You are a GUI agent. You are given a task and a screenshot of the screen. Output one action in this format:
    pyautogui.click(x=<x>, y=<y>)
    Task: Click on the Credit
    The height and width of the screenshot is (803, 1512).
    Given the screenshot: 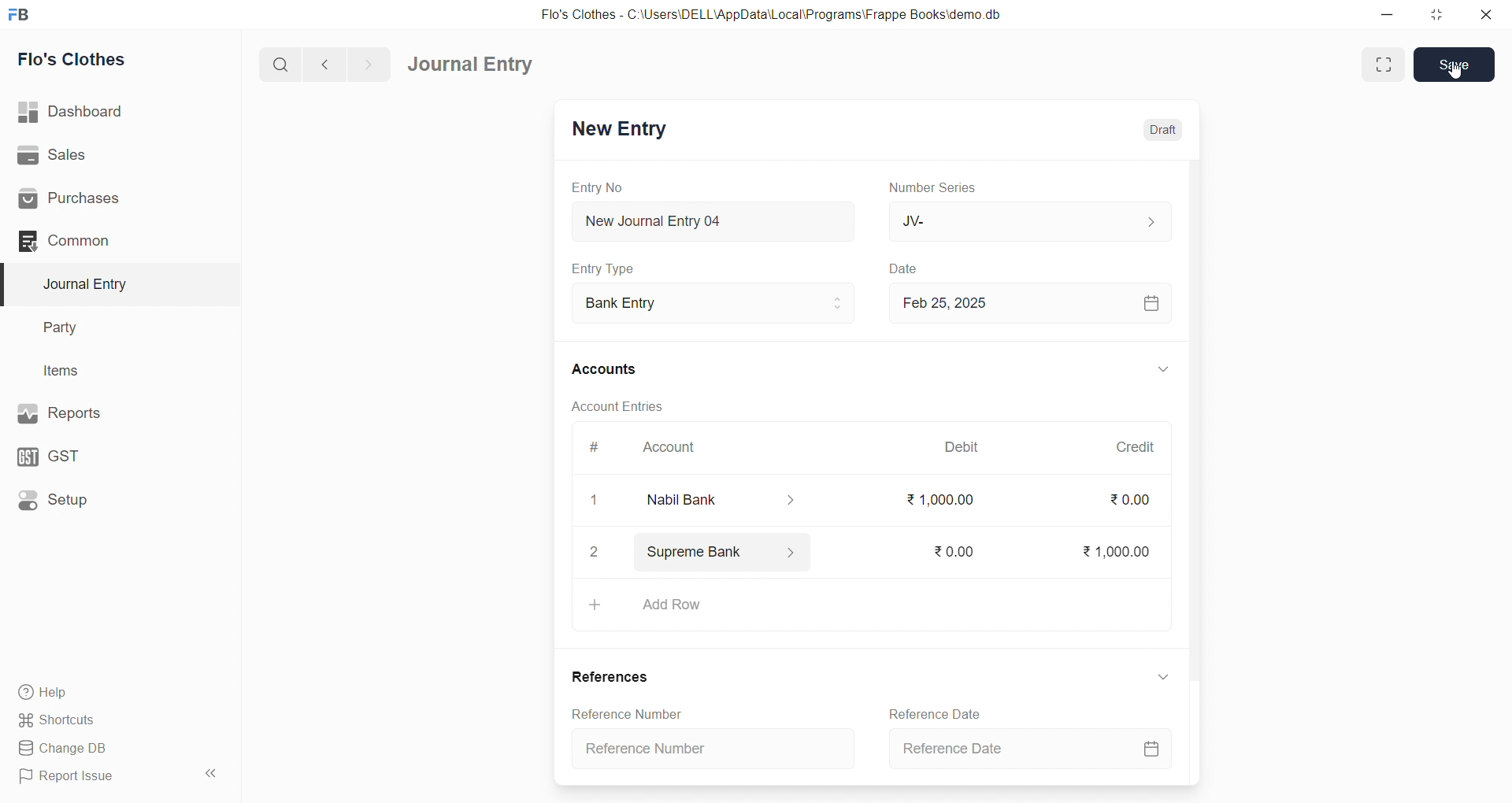 What is the action you would take?
    pyautogui.click(x=1135, y=447)
    